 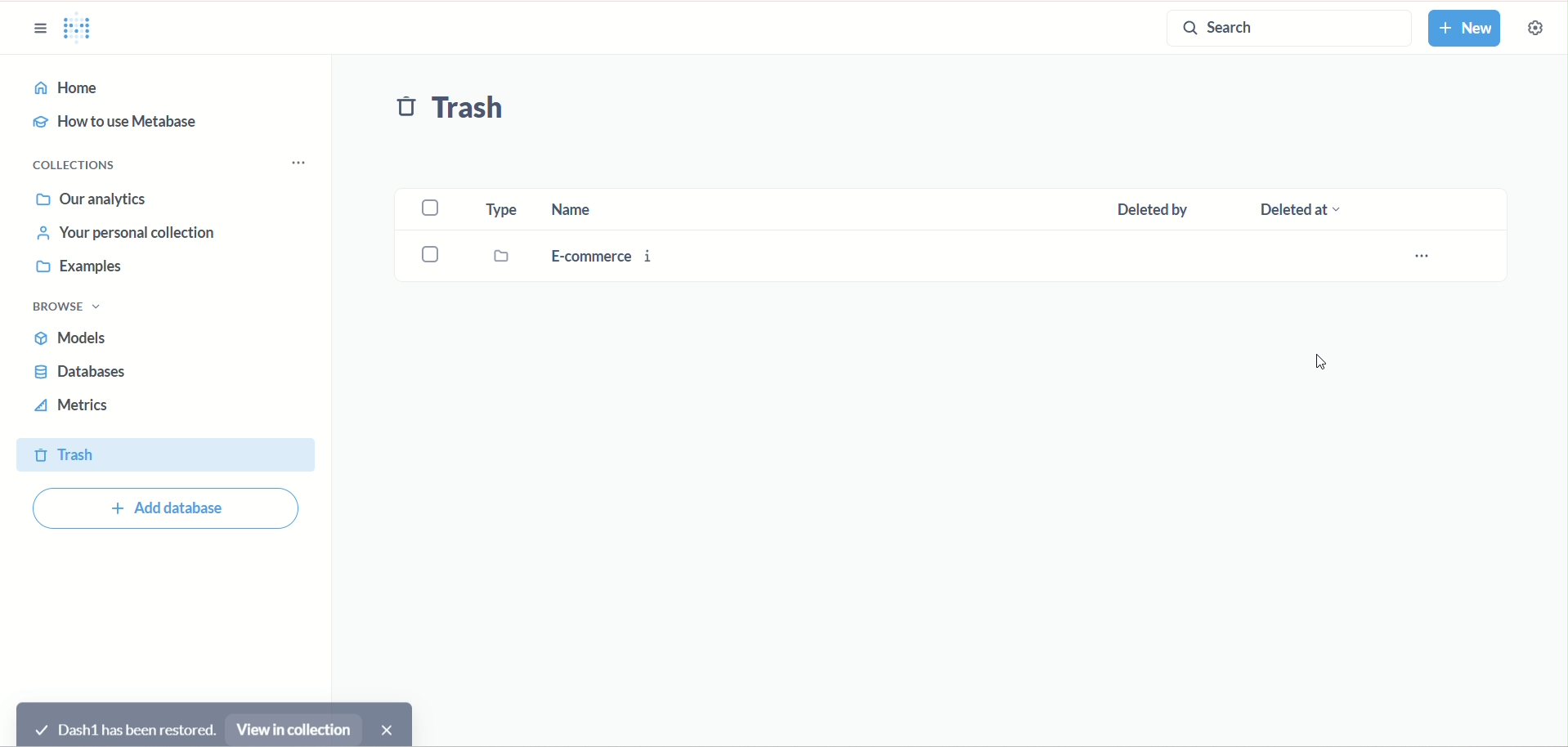 What do you see at coordinates (1470, 29) in the screenshot?
I see `new` at bounding box center [1470, 29].